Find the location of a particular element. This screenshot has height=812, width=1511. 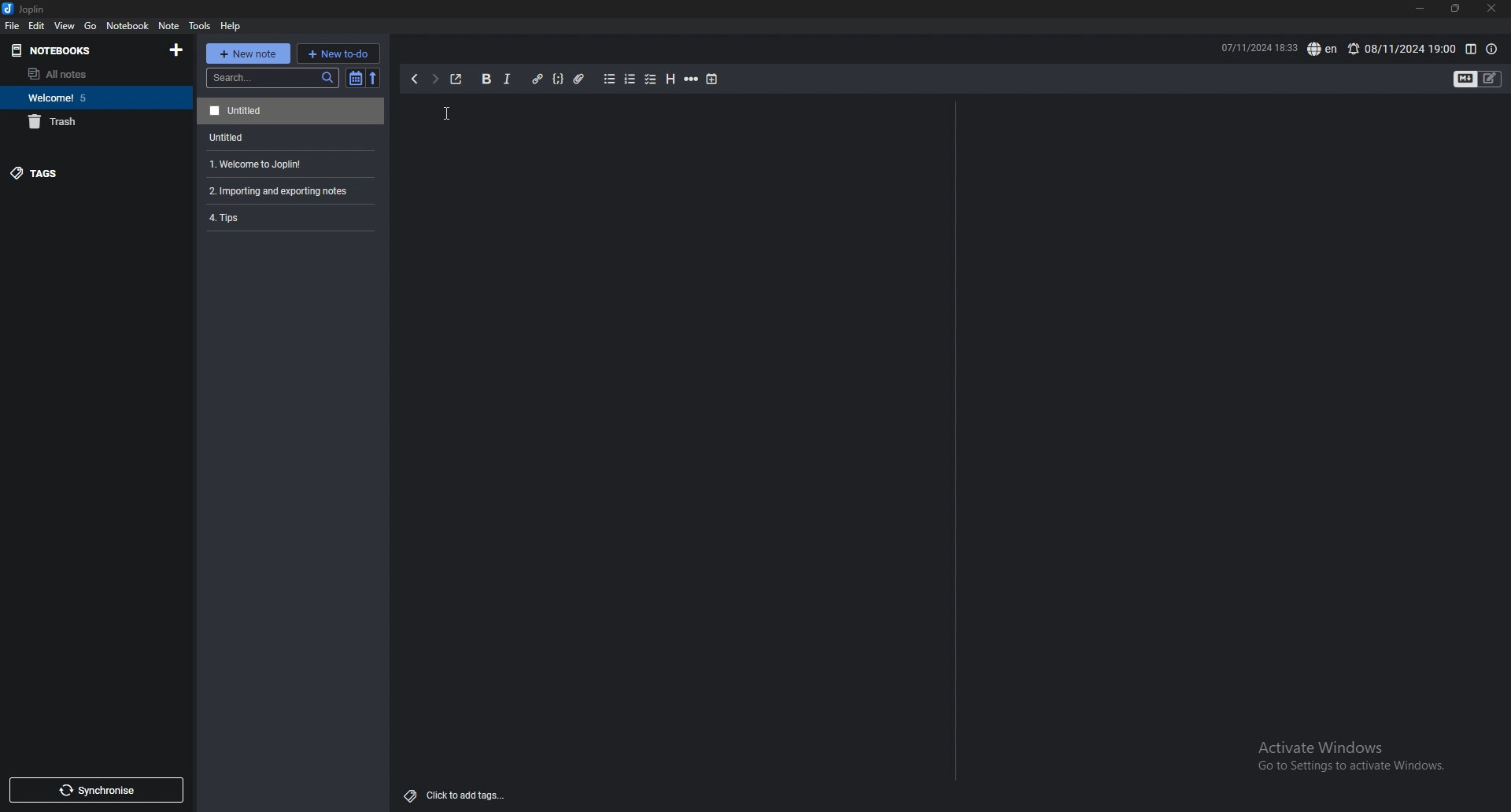

spell check is located at coordinates (1324, 49).